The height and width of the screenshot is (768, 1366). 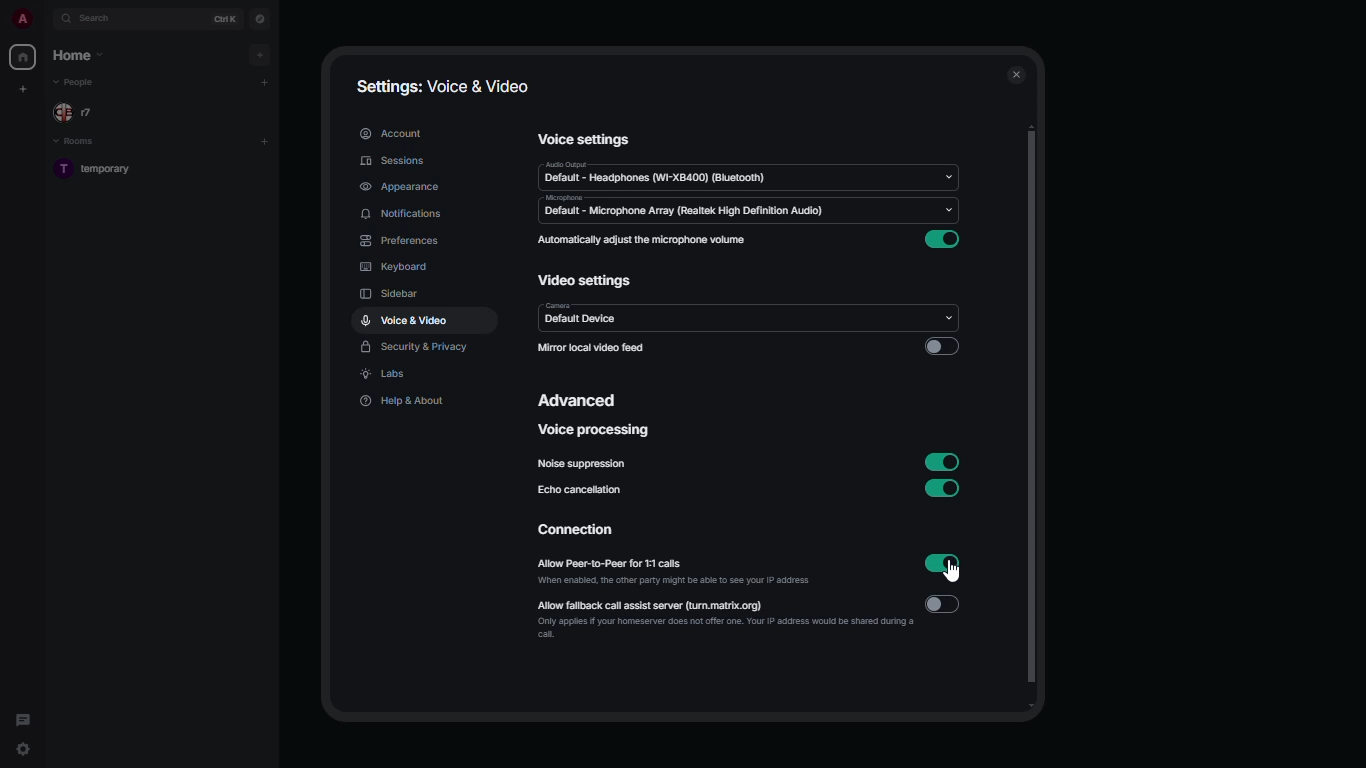 What do you see at coordinates (447, 87) in the screenshot?
I see `settings: voice & video` at bounding box center [447, 87].